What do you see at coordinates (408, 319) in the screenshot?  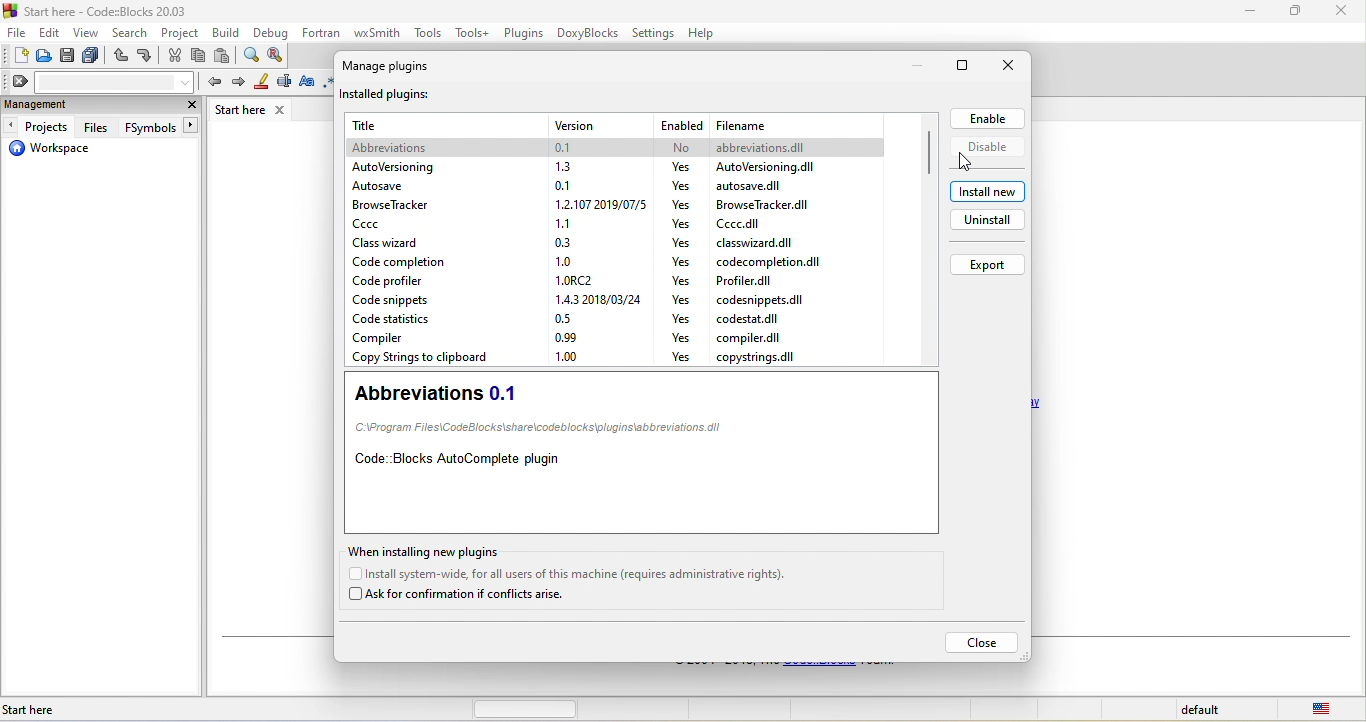 I see `code statistics` at bounding box center [408, 319].